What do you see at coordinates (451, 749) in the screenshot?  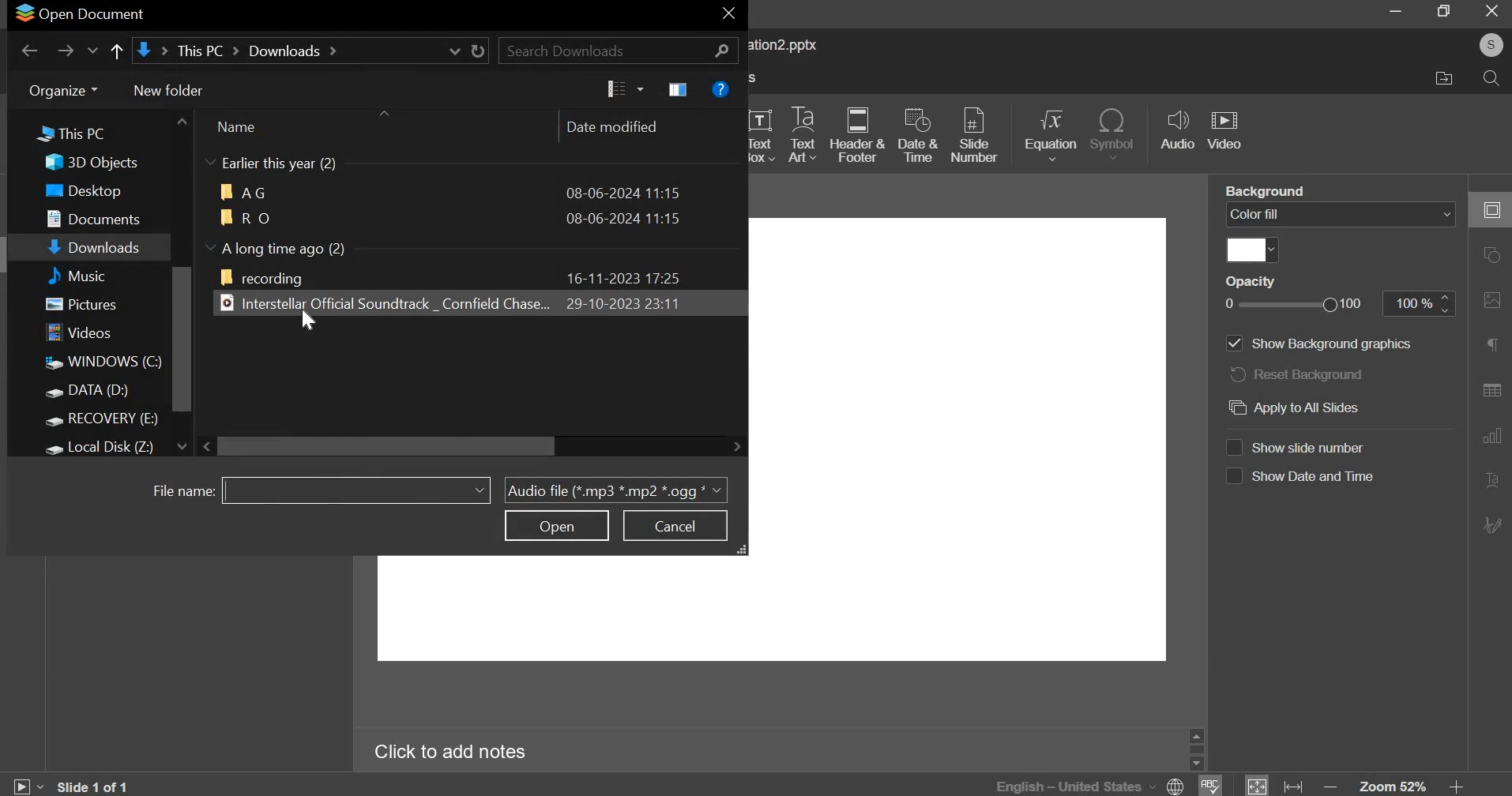 I see `click here to add notes` at bounding box center [451, 749].